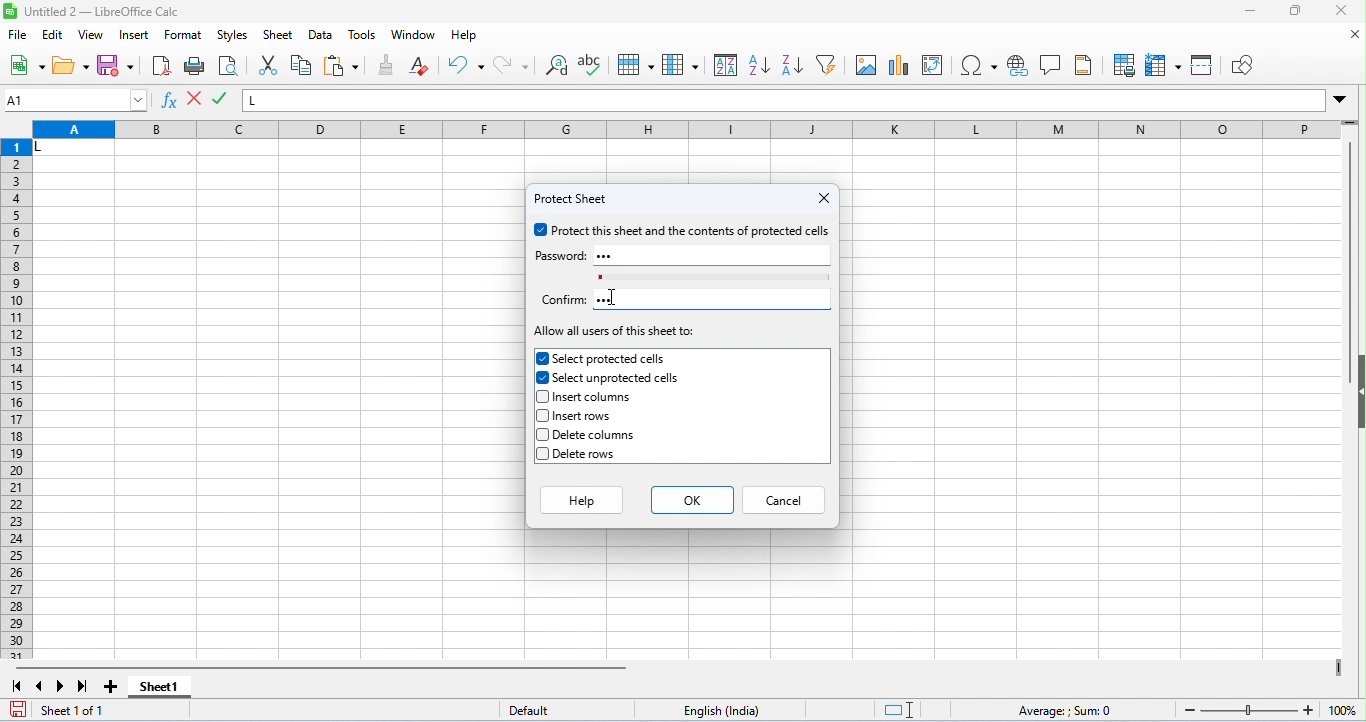  What do you see at coordinates (616, 298) in the screenshot?
I see `password retyped` at bounding box center [616, 298].